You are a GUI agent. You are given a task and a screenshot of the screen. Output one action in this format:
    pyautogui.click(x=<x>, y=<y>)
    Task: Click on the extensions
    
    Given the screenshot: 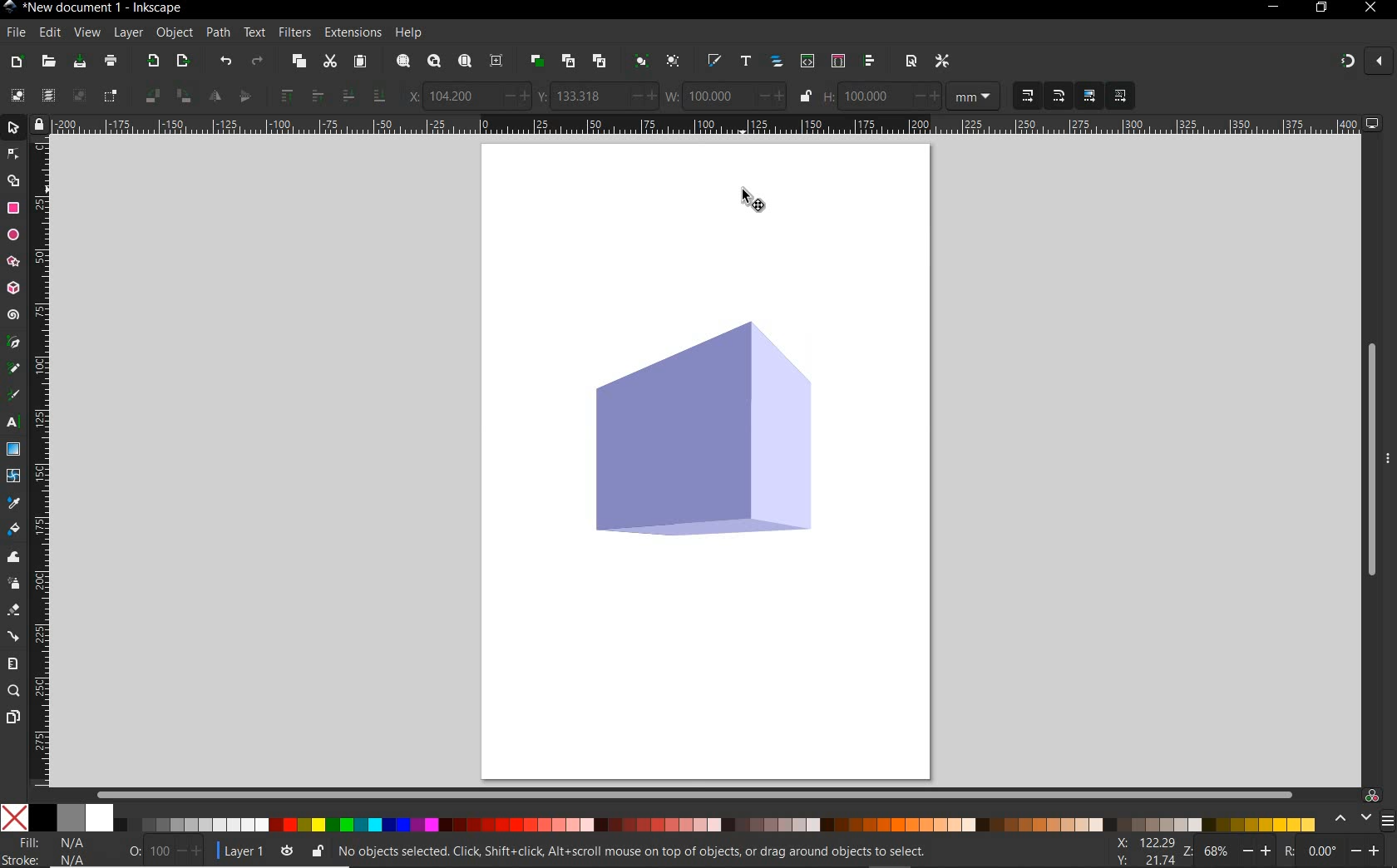 What is the action you would take?
    pyautogui.click(x=351, y=33)
    